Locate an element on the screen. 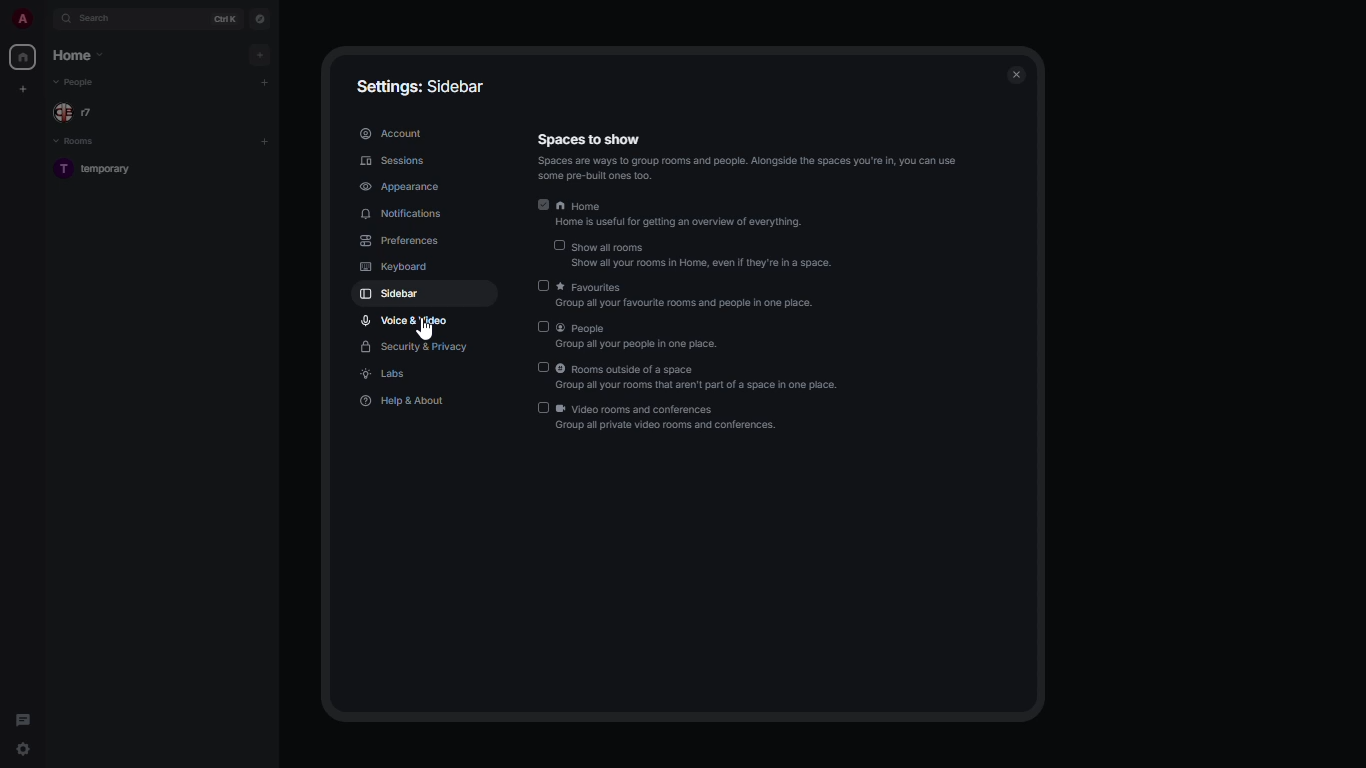 This screenshot has height=768, width=1366. spaces to show is located at coordinates (748, 157).